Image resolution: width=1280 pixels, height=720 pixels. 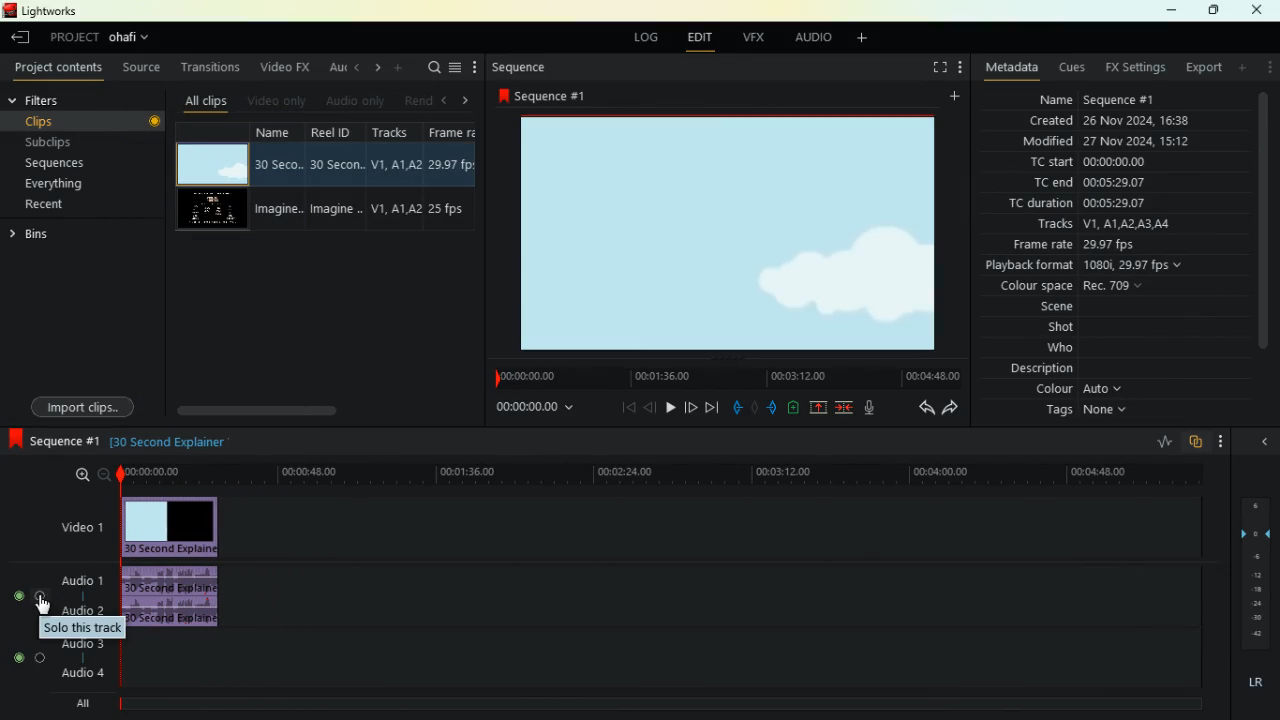 I want to click on audio, so click(x=807, y=39).